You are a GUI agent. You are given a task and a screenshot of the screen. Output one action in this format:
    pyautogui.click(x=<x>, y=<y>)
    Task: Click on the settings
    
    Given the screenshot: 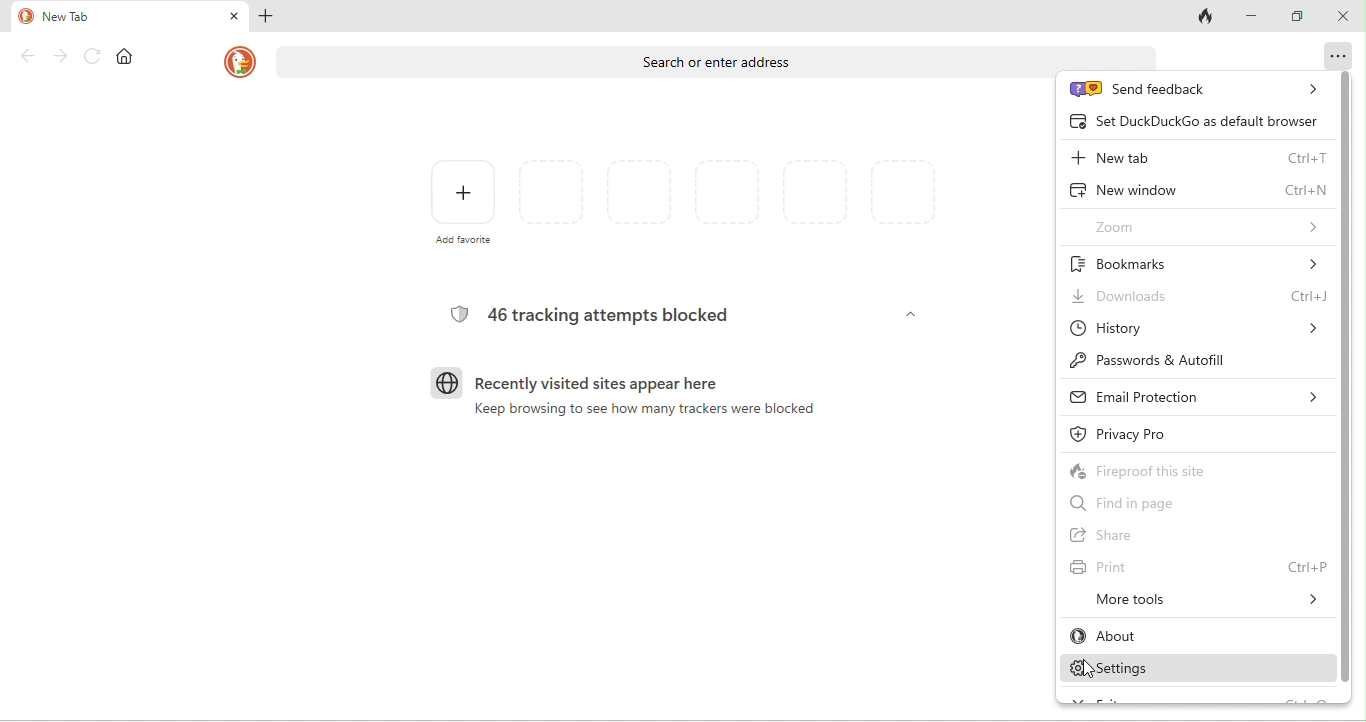 What is the action you would take?
    pyautogui.click(x=1178, y=670)
    